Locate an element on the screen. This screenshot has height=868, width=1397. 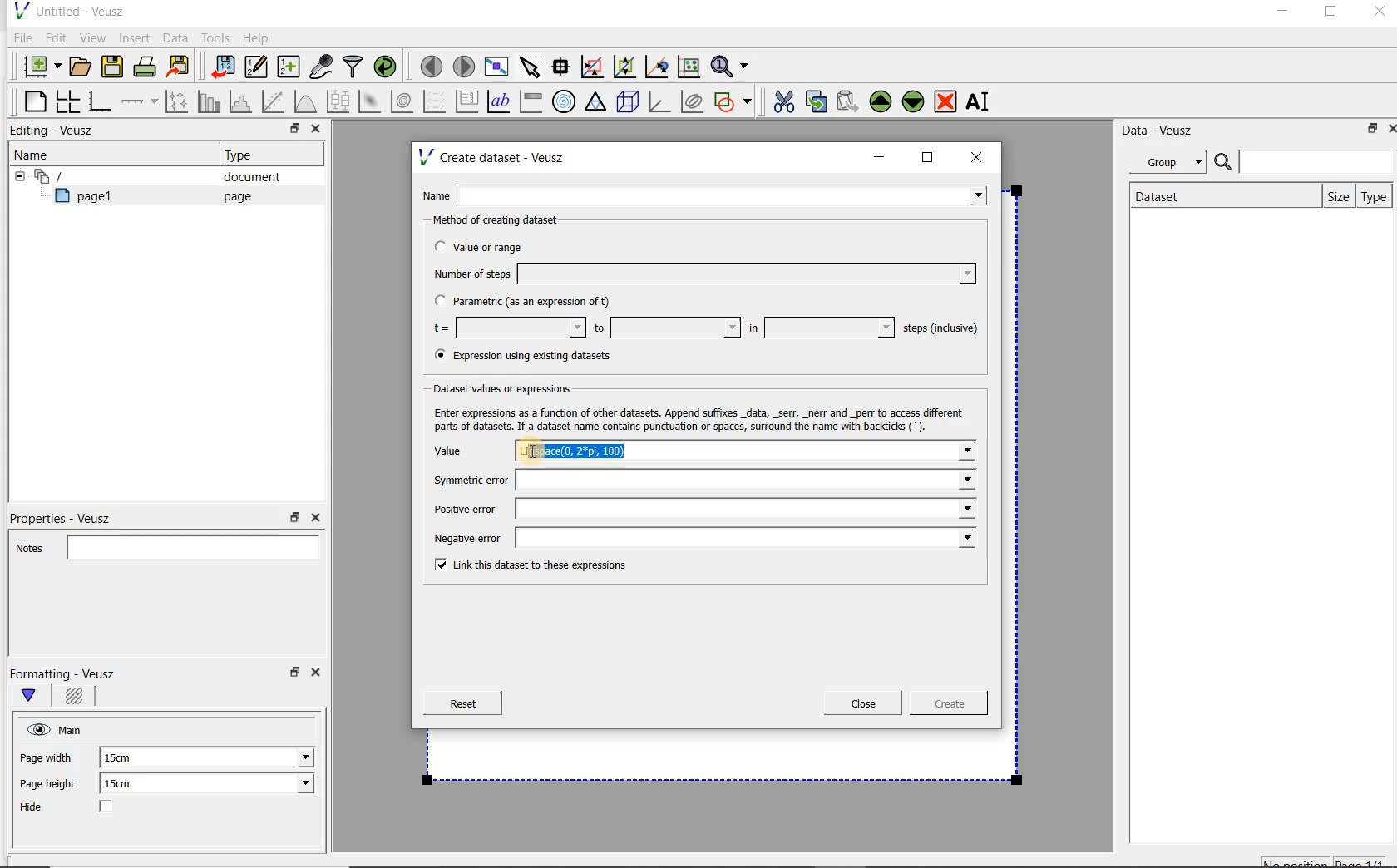
click to zoom out of graph axes is located at coordinates (625, 67).